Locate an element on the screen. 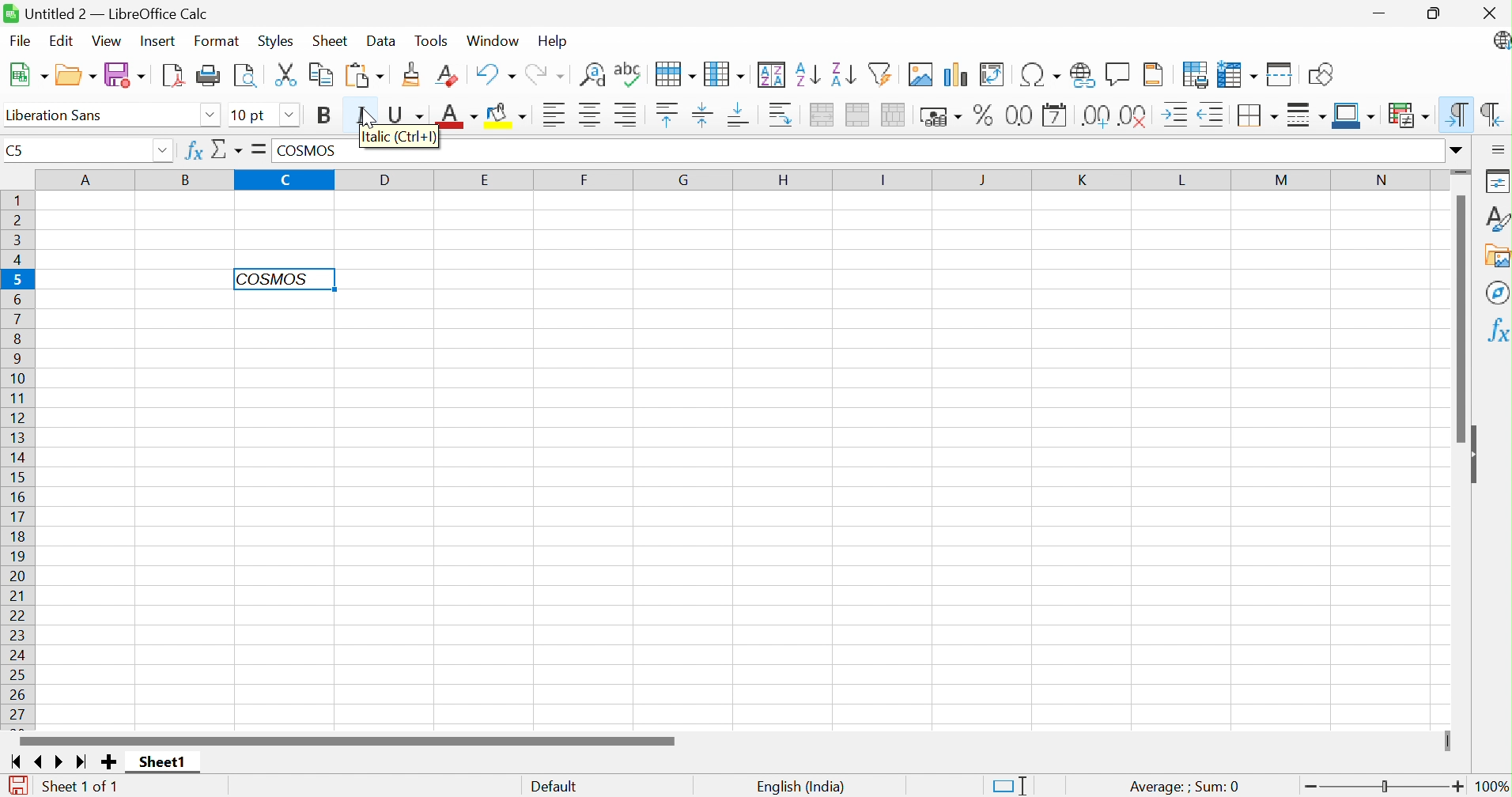 The image size is (1512, 797). Zoom out is located at coordinates (1306, 786).